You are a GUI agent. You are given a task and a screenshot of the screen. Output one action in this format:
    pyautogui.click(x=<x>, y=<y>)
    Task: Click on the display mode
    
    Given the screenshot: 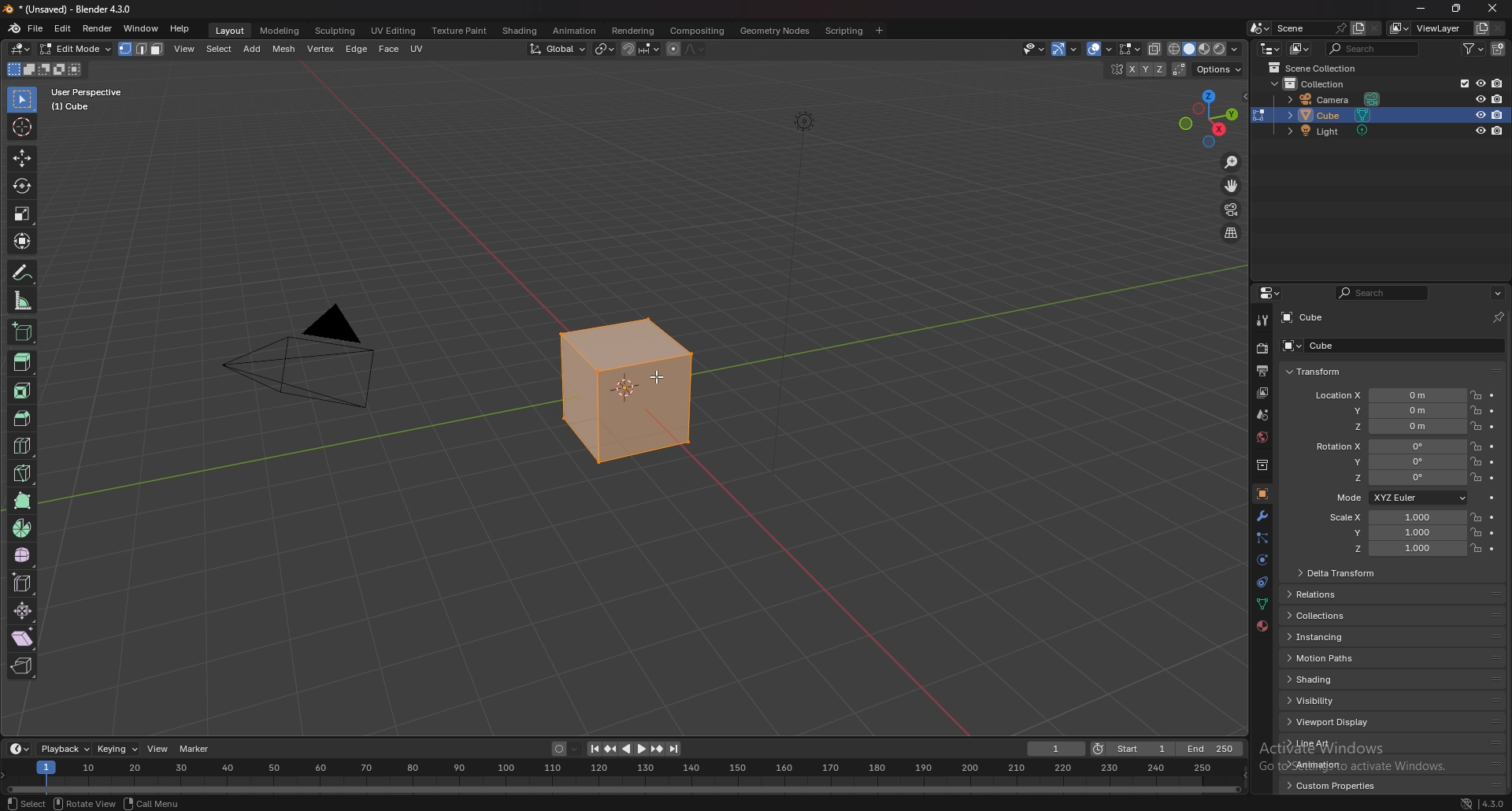 What is the action you would take?
    pyautogui.click(x=1300, y=49)
    